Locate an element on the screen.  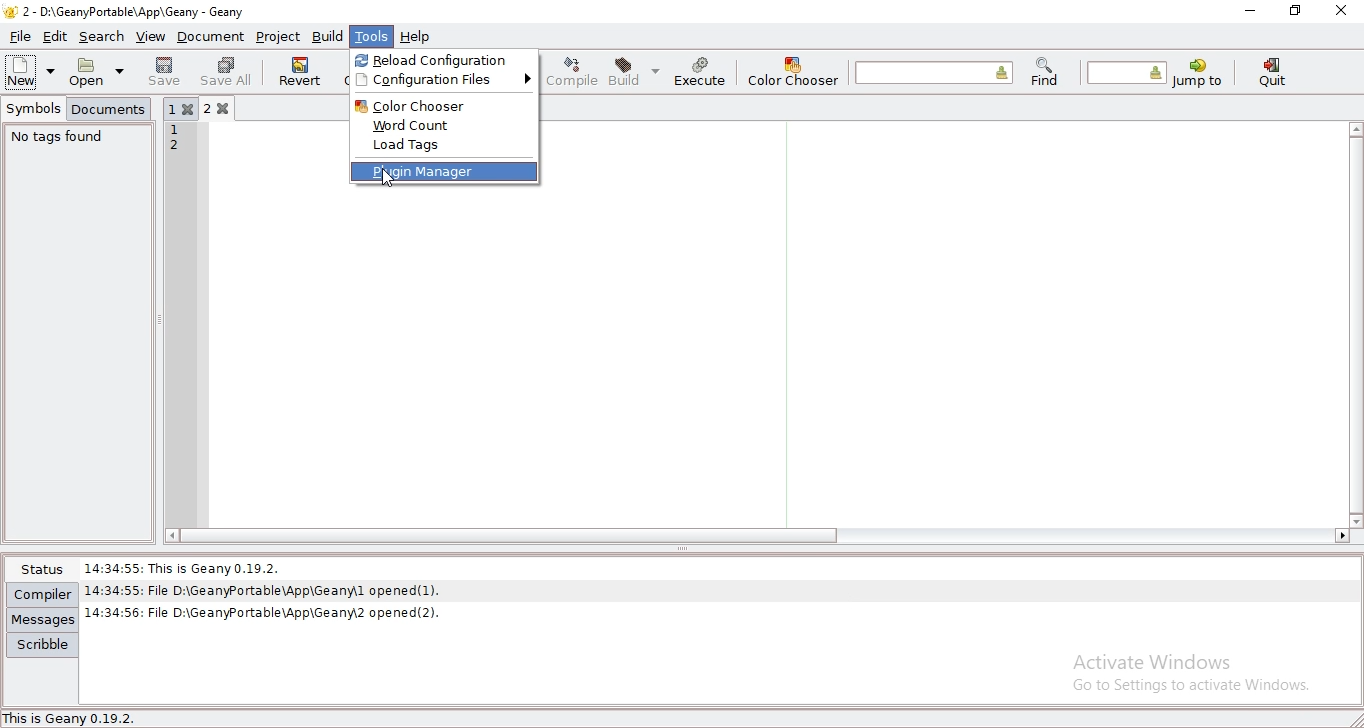
plugin manager is located at coordinates (443, 173).